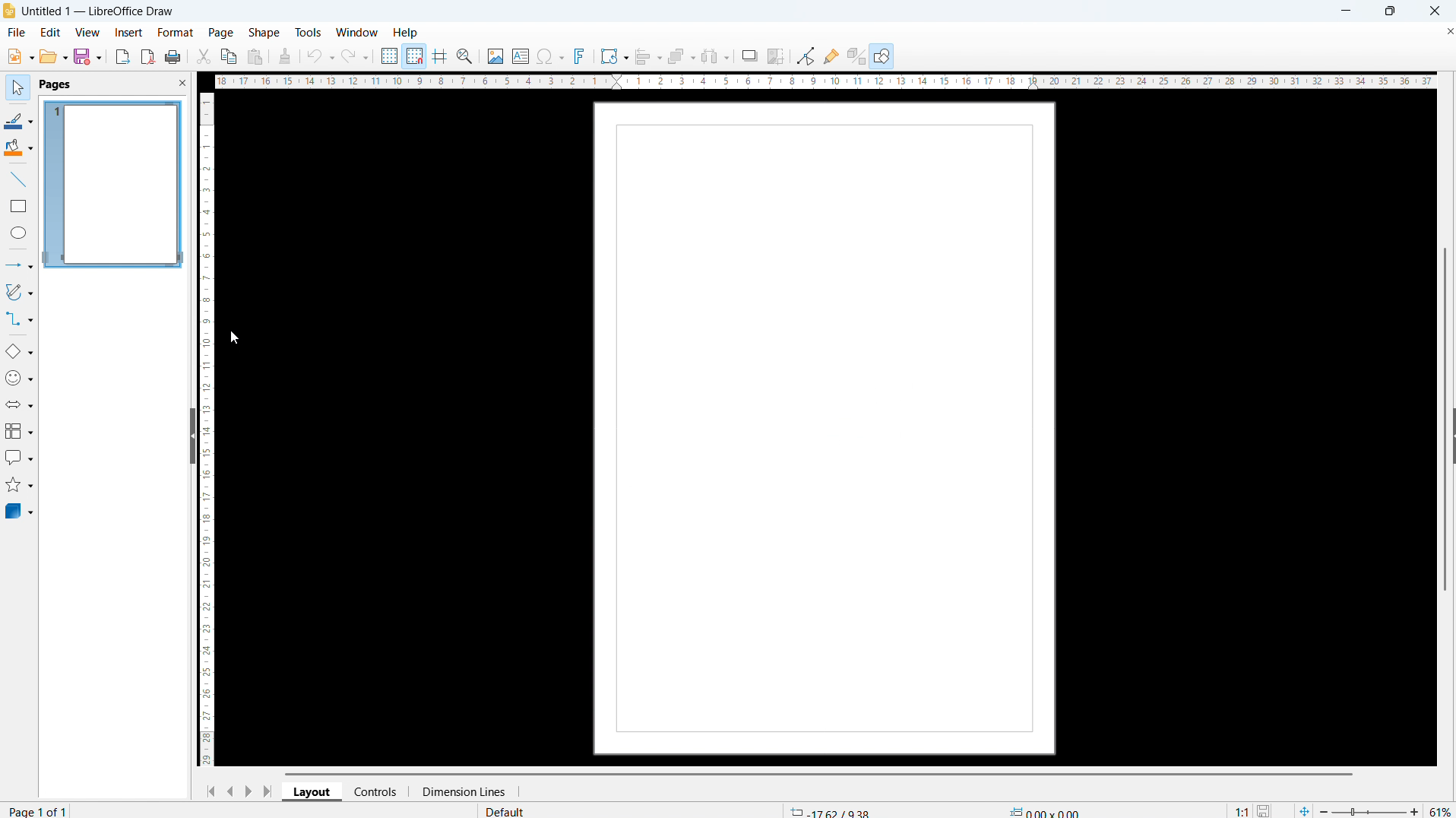 The image size is (1456, 818). Describe the element at coordinates (388, 55) in the screenshot. I see `display grid` at that location.